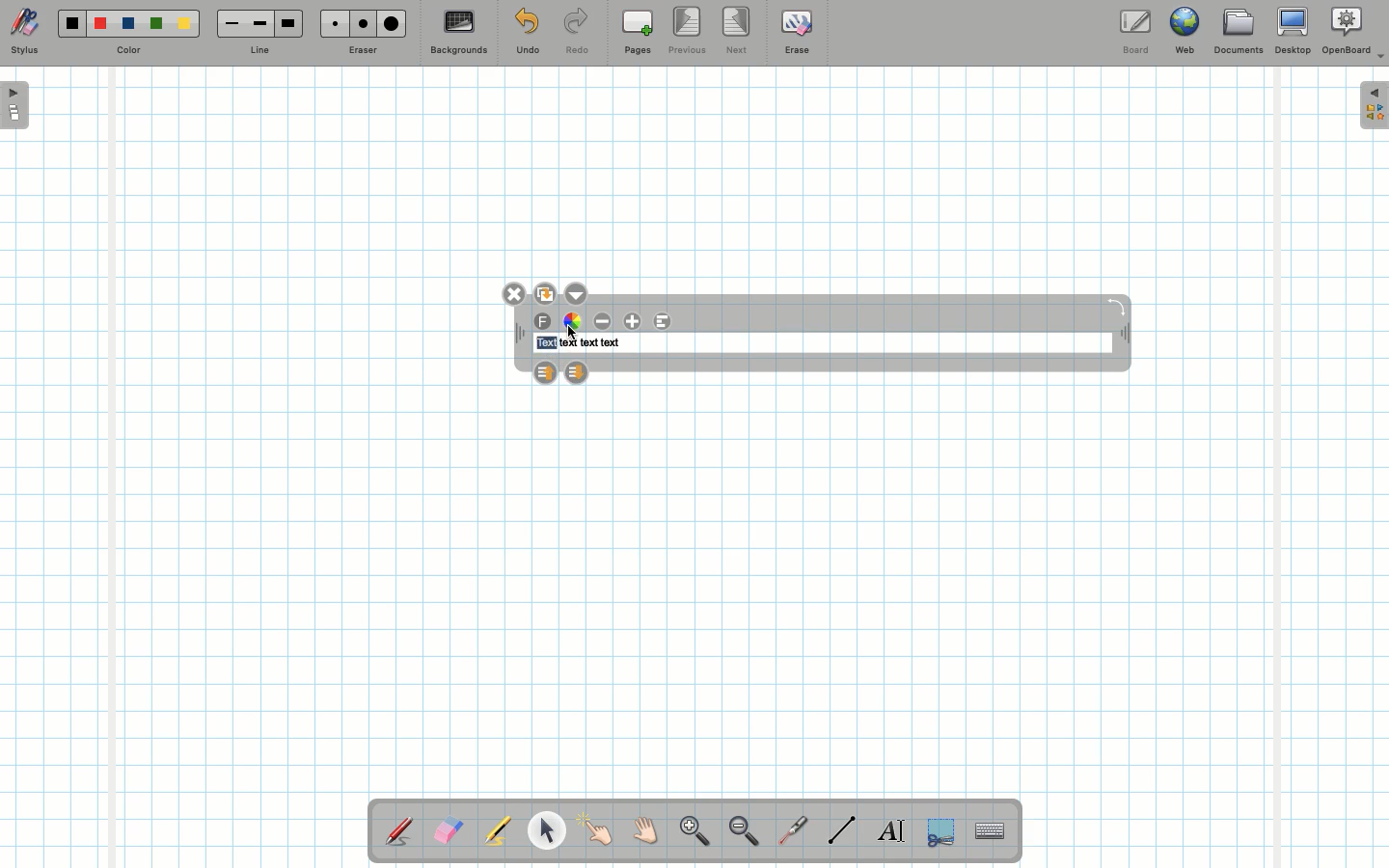 This screenshot has height=868, width=1389. Describe the element at coordinates (842, 829) in the screenshot. I see `Line` at that location.